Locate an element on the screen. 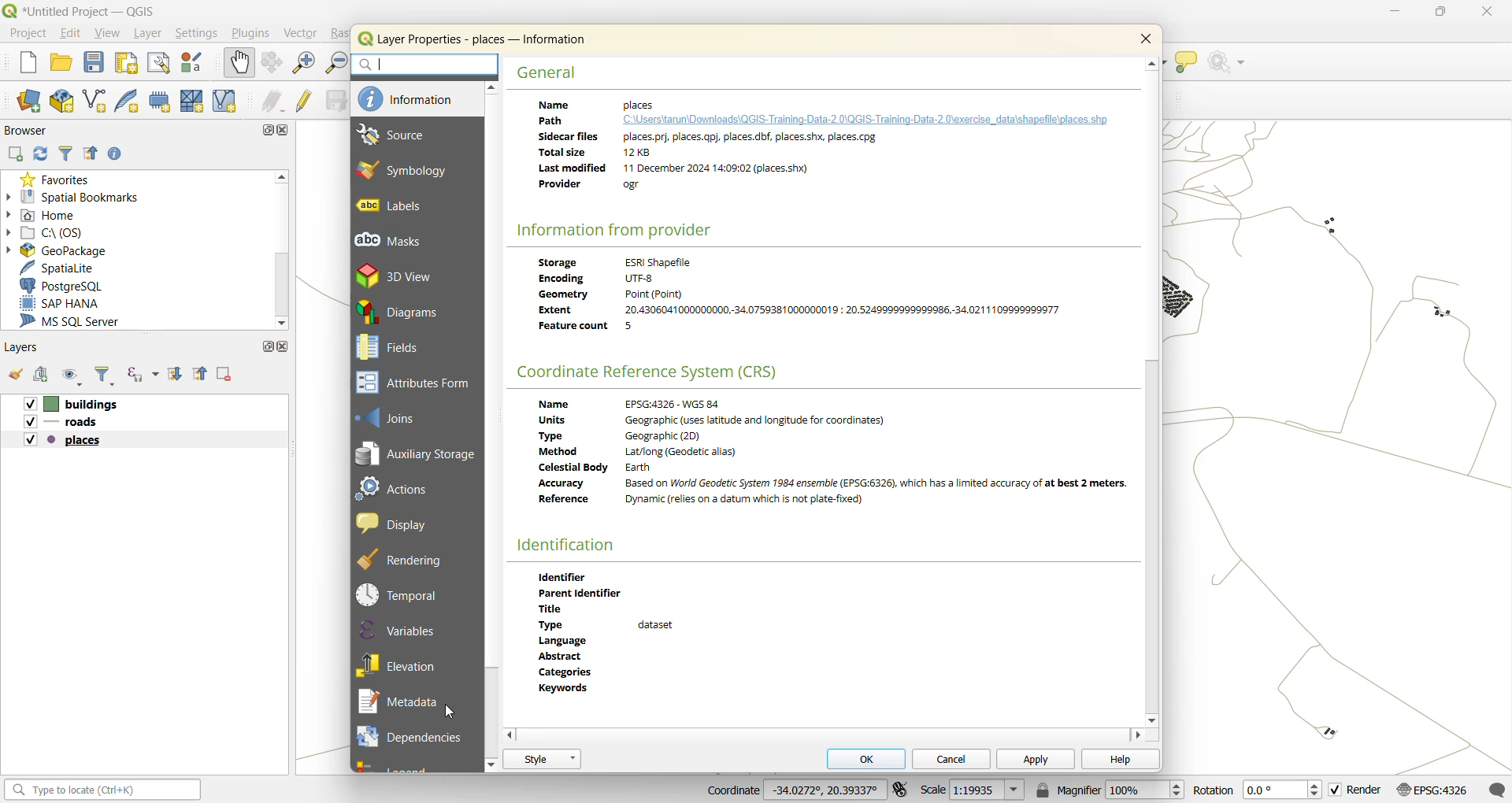 The image size is (1512, 803). close is located at coordinates (1484, 16).